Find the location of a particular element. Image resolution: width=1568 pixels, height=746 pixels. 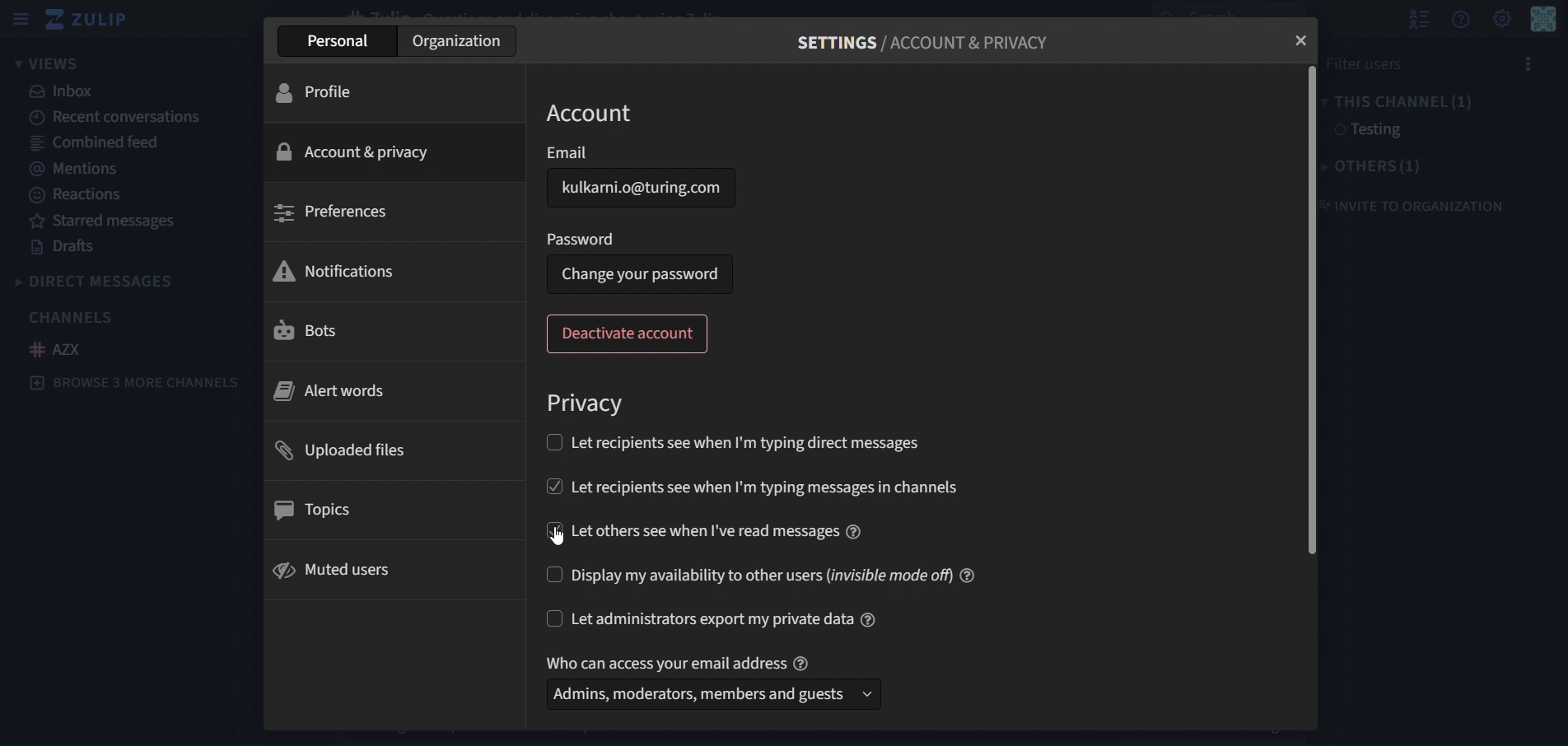

starred messages is located at coordinates (105, 221).